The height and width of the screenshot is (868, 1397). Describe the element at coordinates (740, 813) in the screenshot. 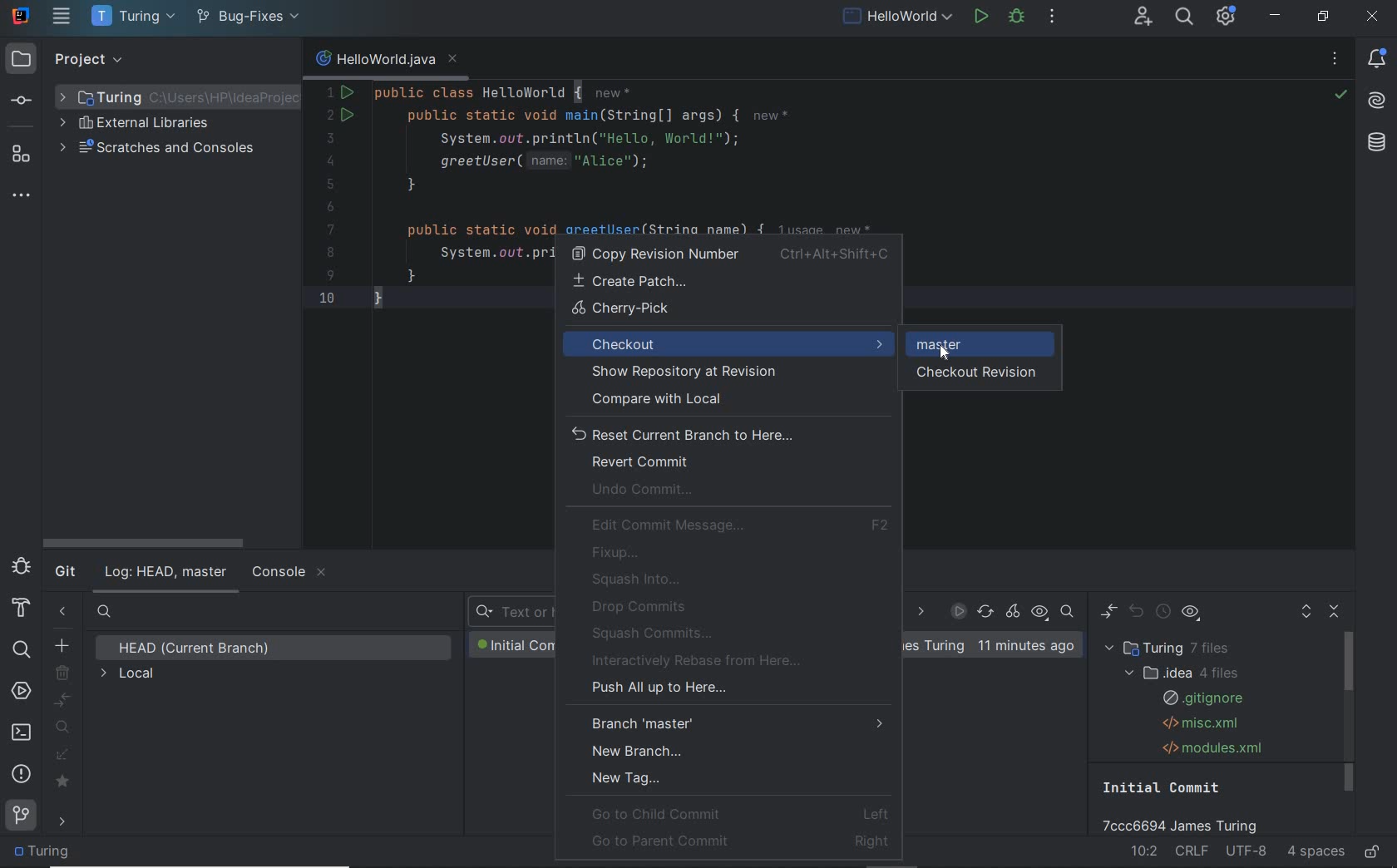

I see `go to child commit` at that location.